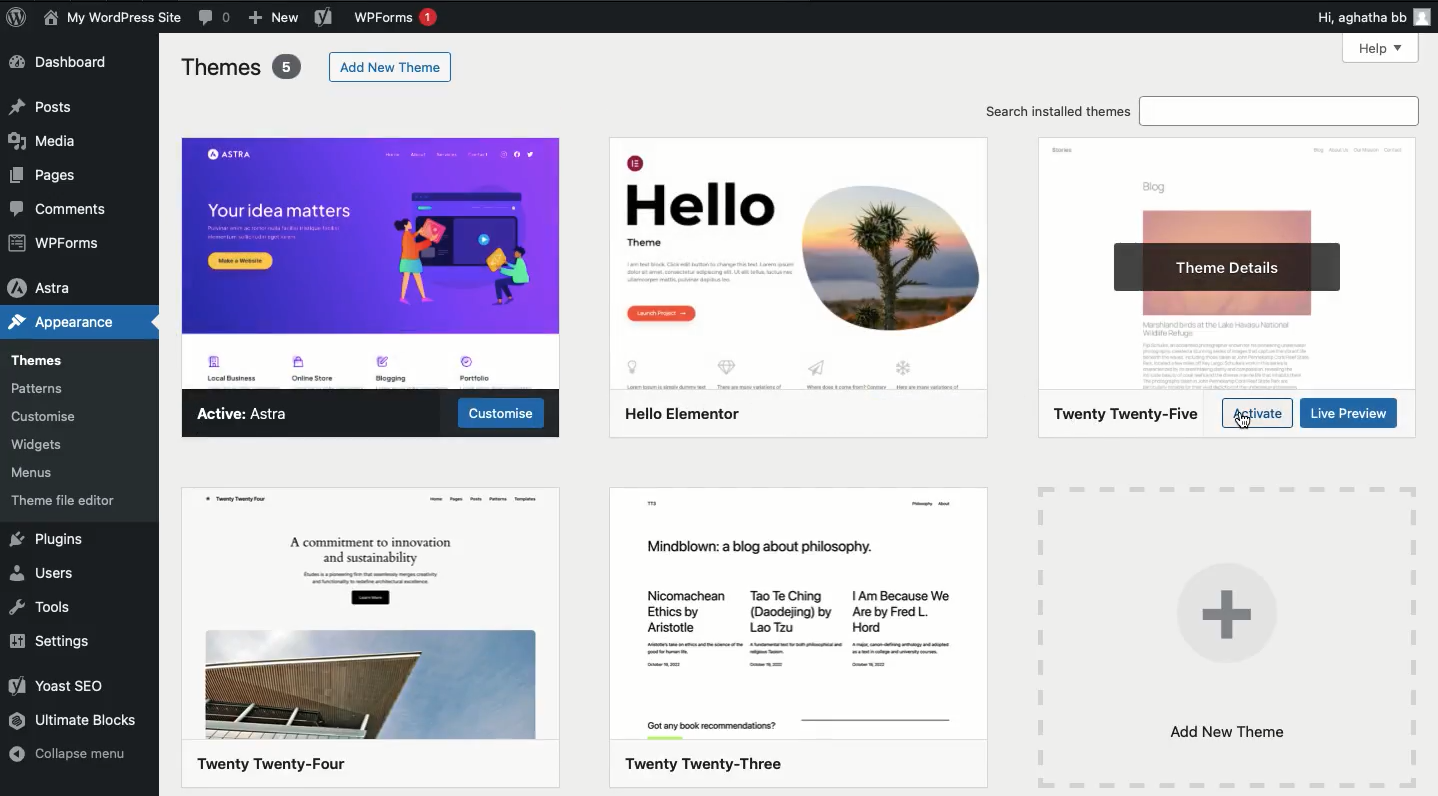 This screenshot has height=796, width=1438. I want to click on 2025, so click(1128, 414).